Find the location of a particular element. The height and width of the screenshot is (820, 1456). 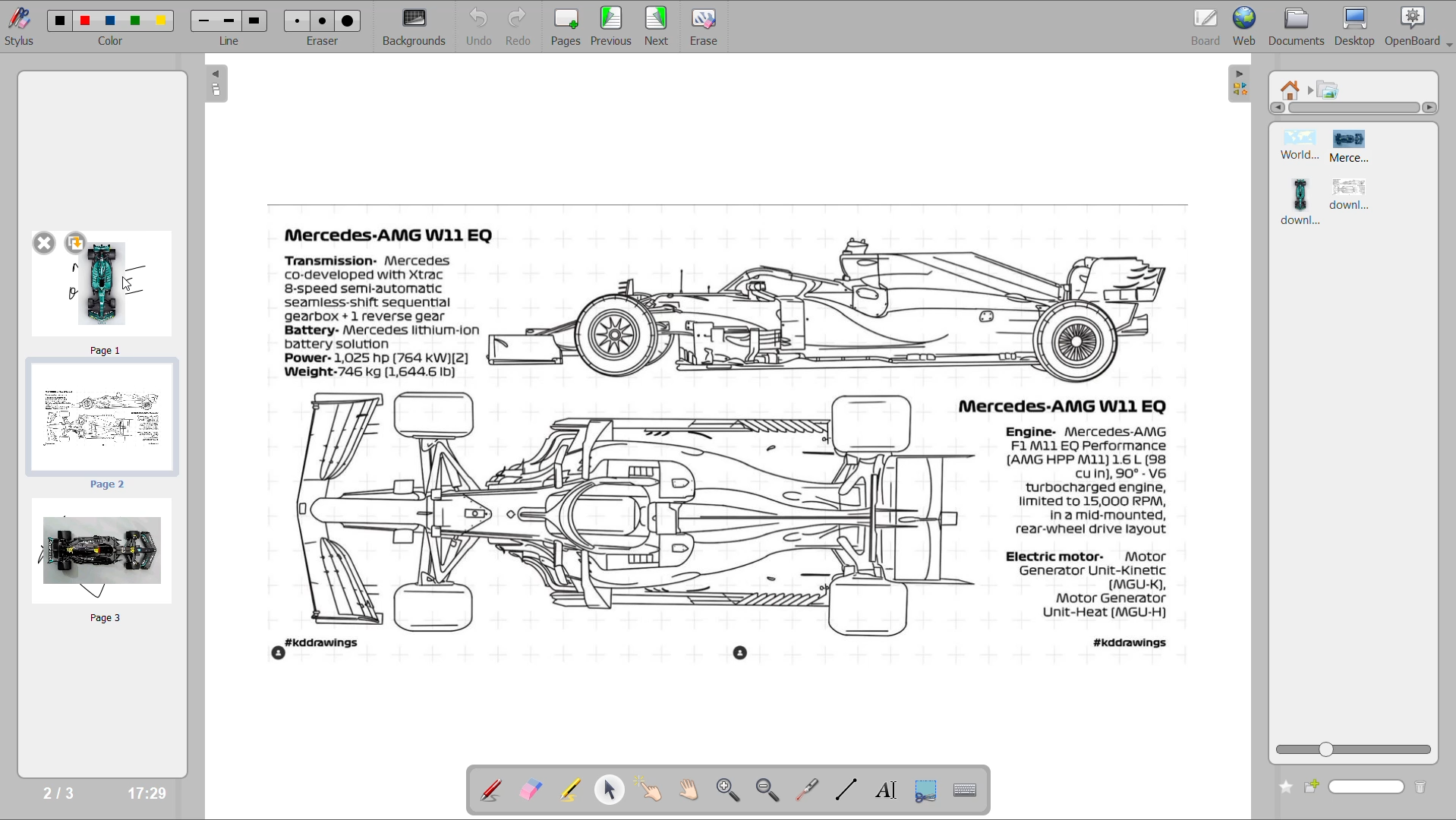

image 4 is located at coordinates (1351, 196).